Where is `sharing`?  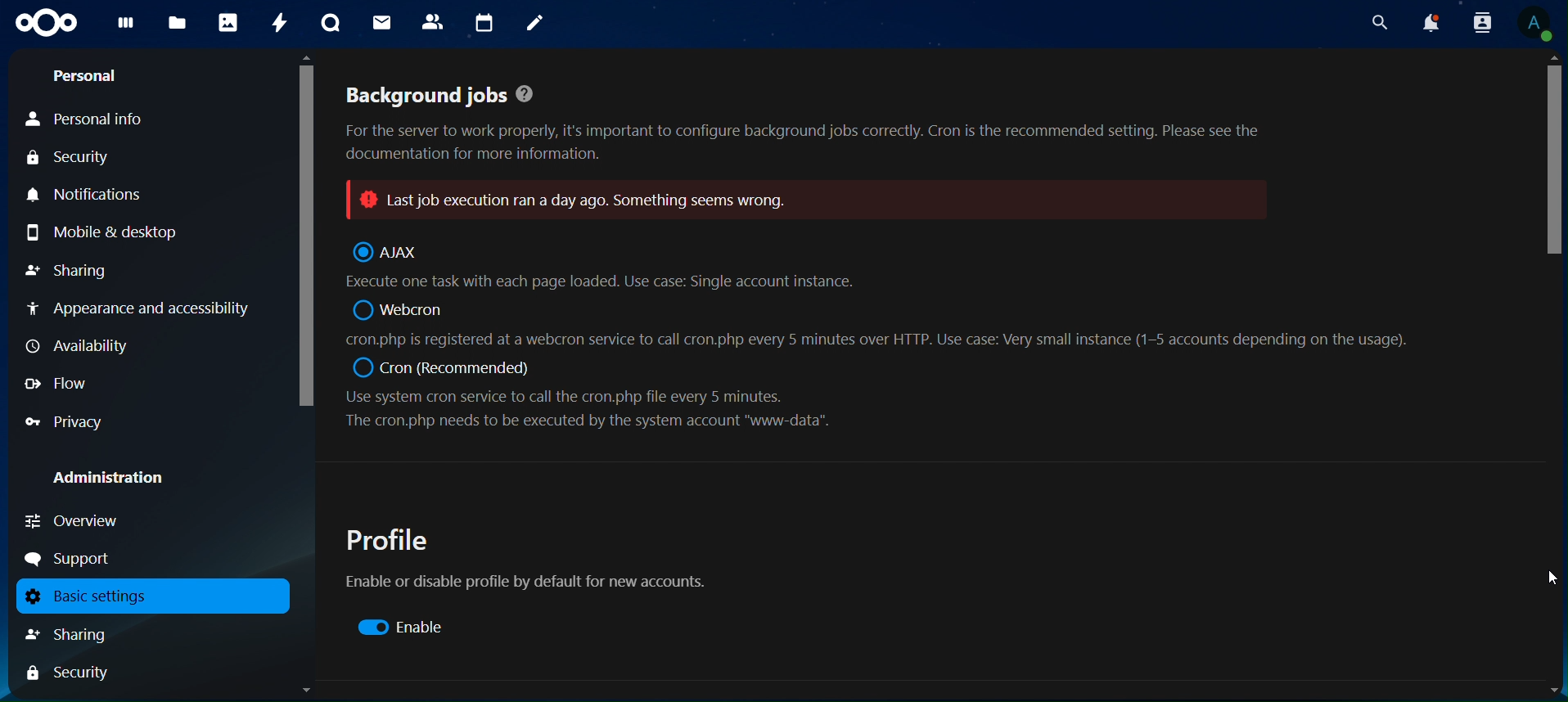
sharing is located at coordinates (85, 634).